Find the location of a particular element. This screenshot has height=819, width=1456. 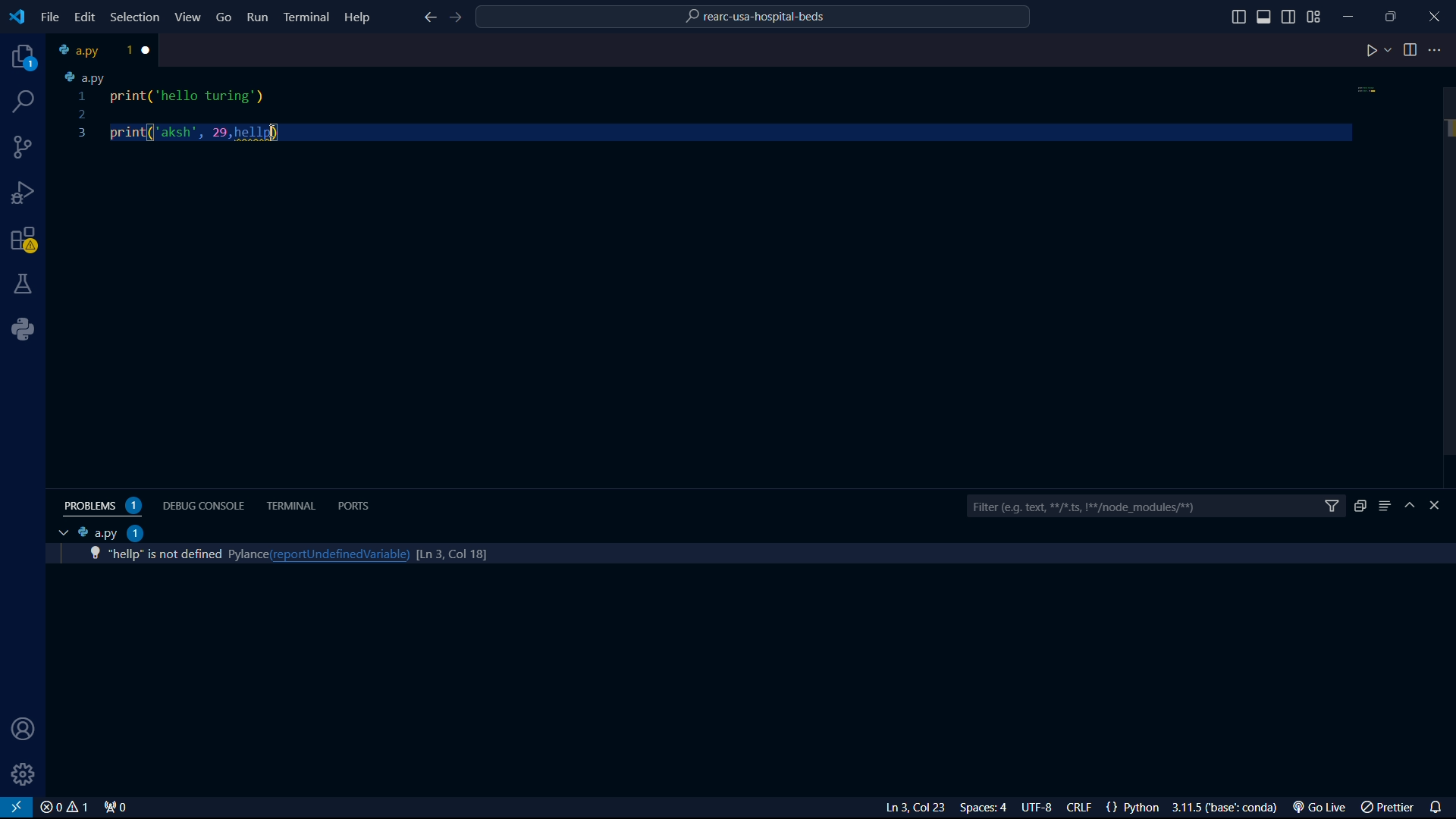

maximize is located at coordinates (1393, 16).